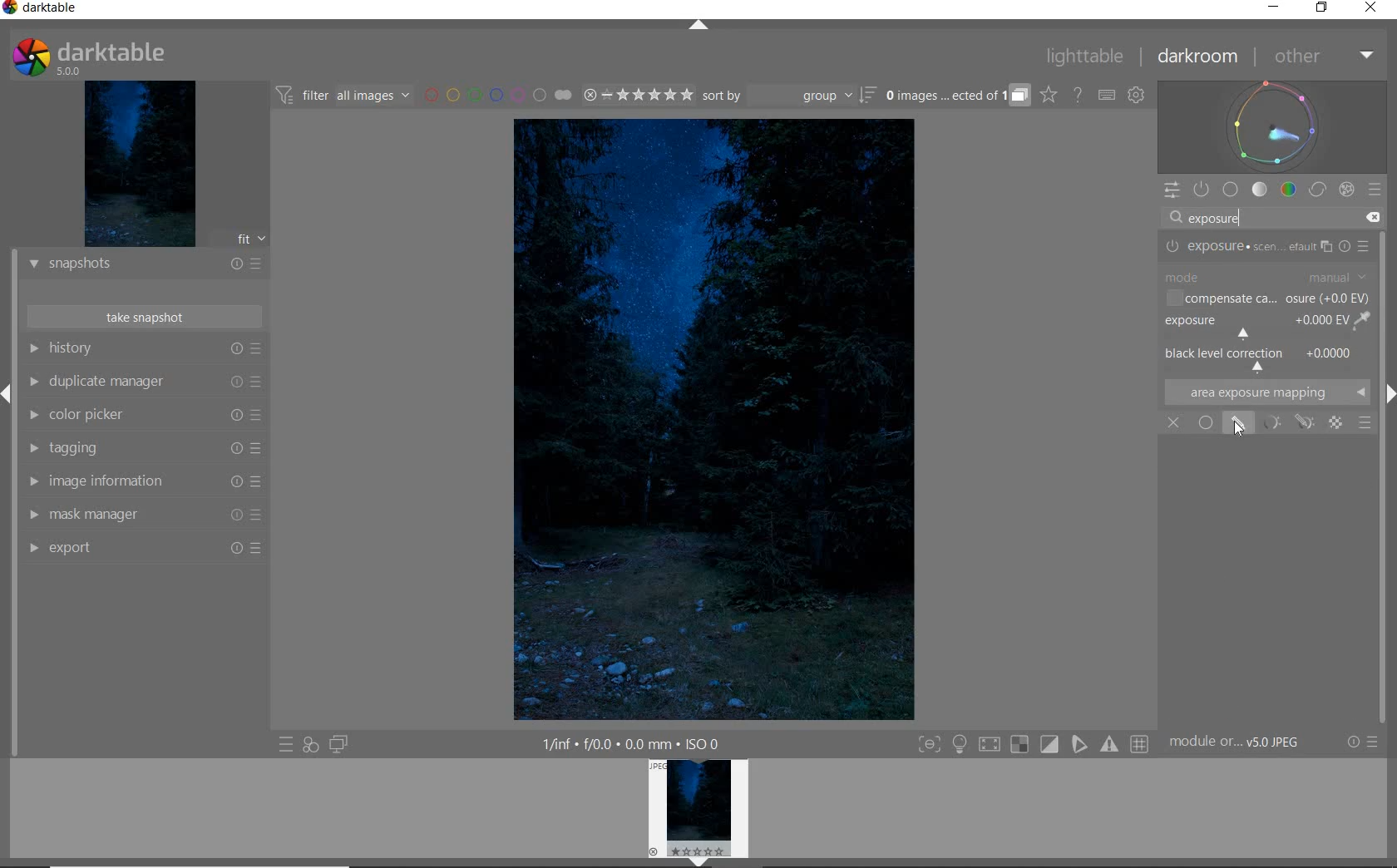  Describe the element at coordinates (638, 95) in the screenshot. I see `RANGE RATING OF SELECTED IMAGES` at that location.